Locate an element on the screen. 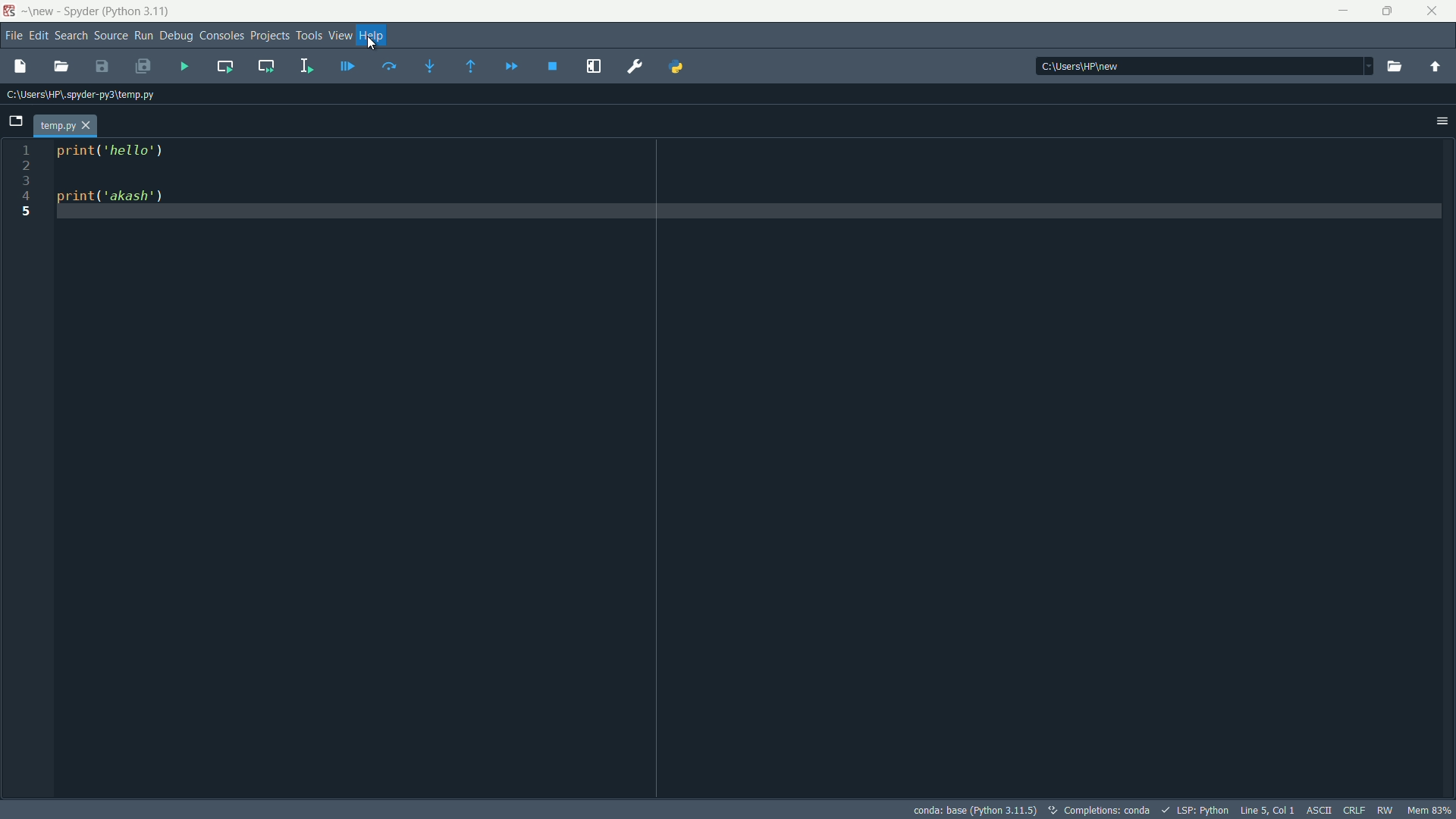  C:\Users\HP\new is located at coordinates (1078, 65).